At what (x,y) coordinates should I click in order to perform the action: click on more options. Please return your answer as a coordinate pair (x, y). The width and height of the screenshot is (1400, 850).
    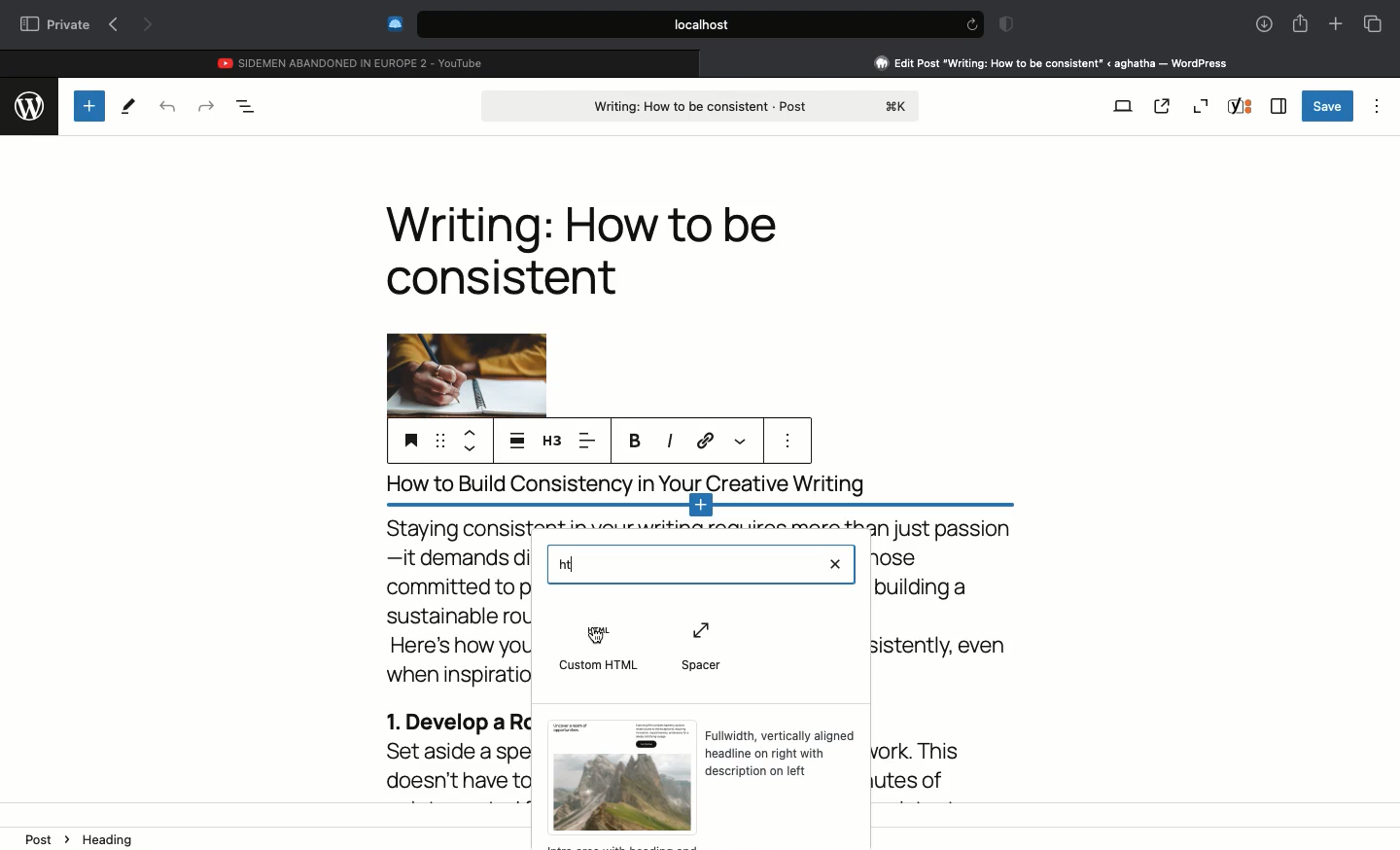
    Looking at the image, I should click on (791, 443).